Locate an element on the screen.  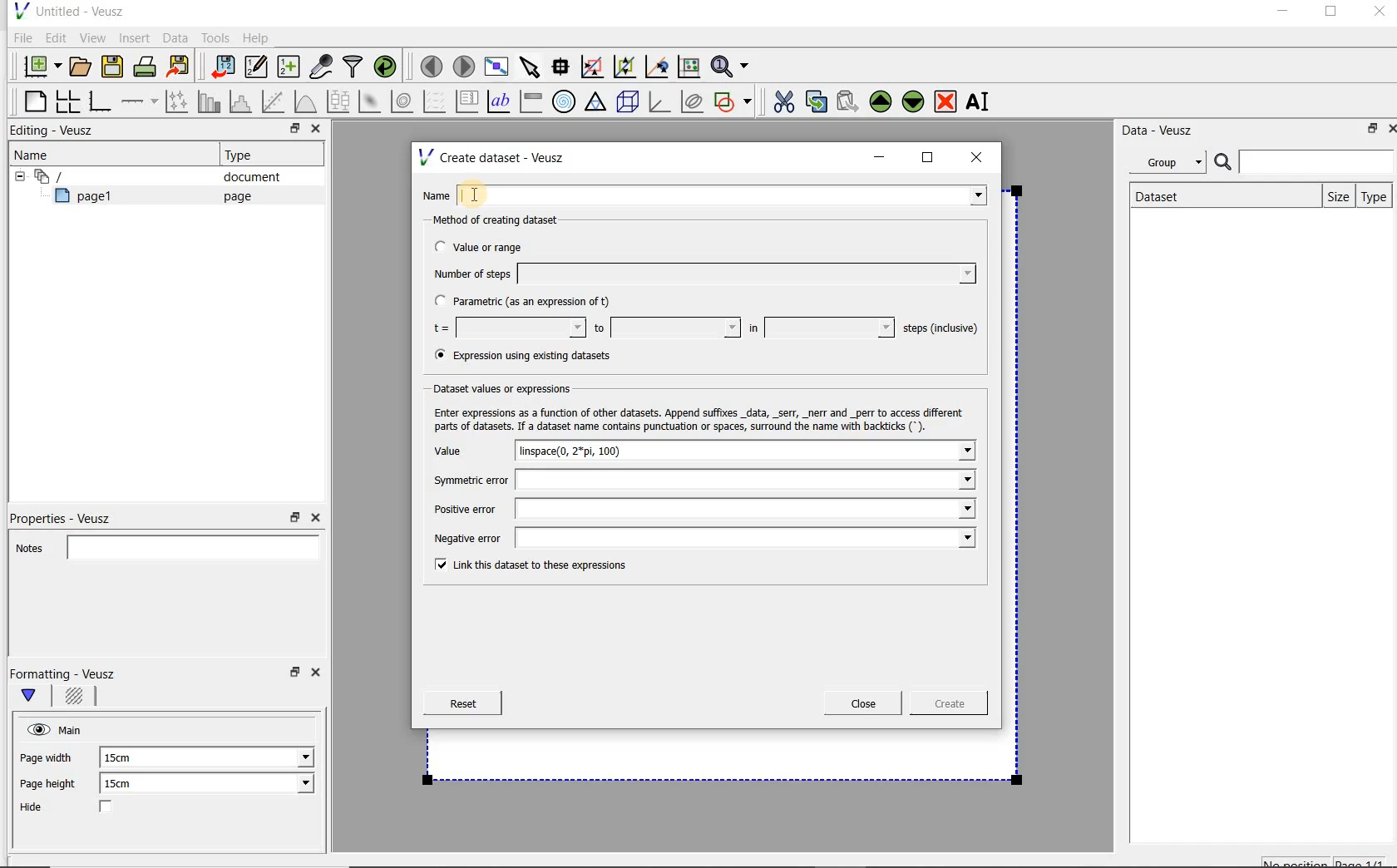
Page height dropdown is located at coordinates (294, 785).